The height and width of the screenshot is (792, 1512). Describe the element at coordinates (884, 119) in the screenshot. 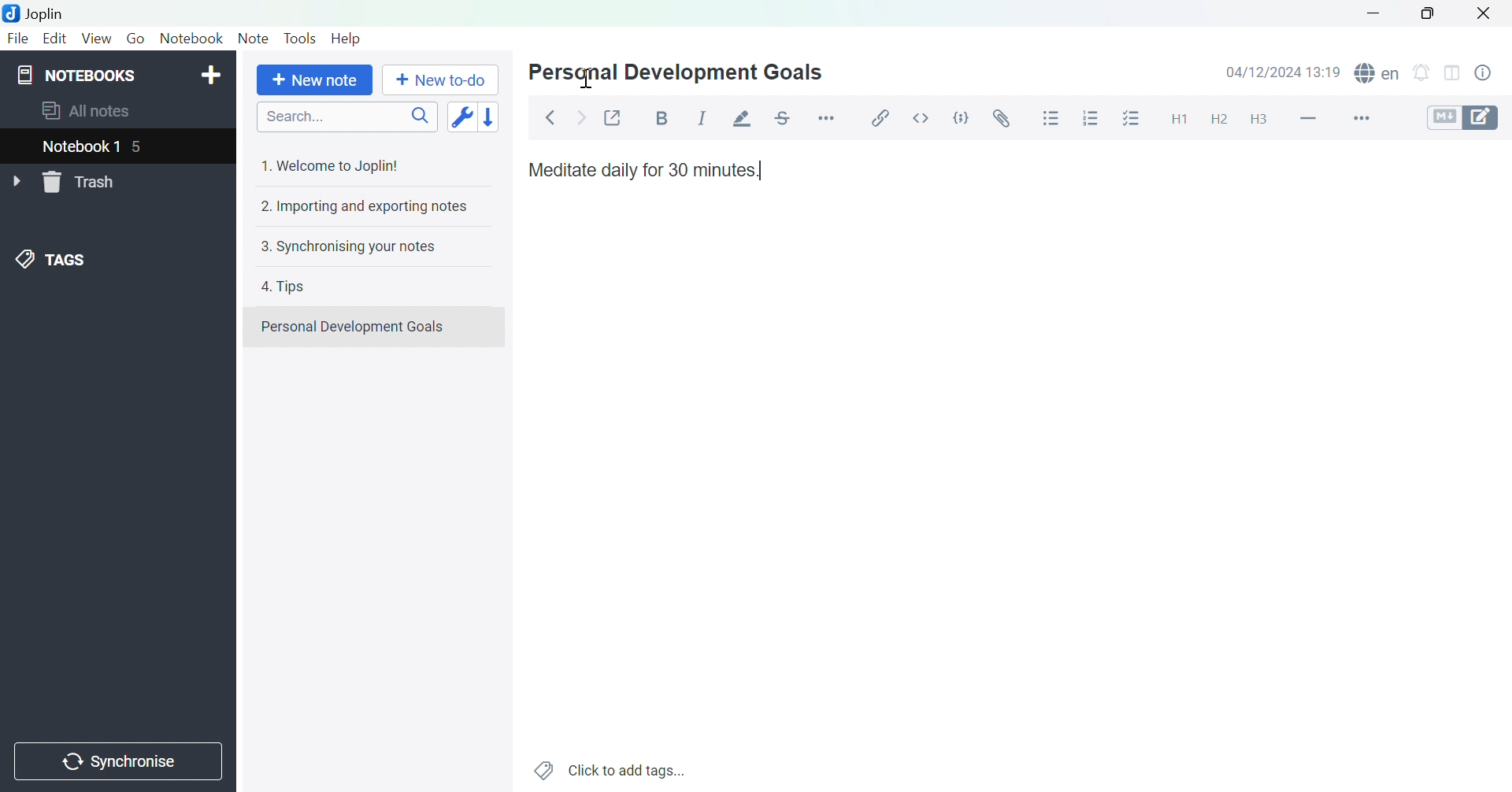

I see `Insert / edit link` at that location.